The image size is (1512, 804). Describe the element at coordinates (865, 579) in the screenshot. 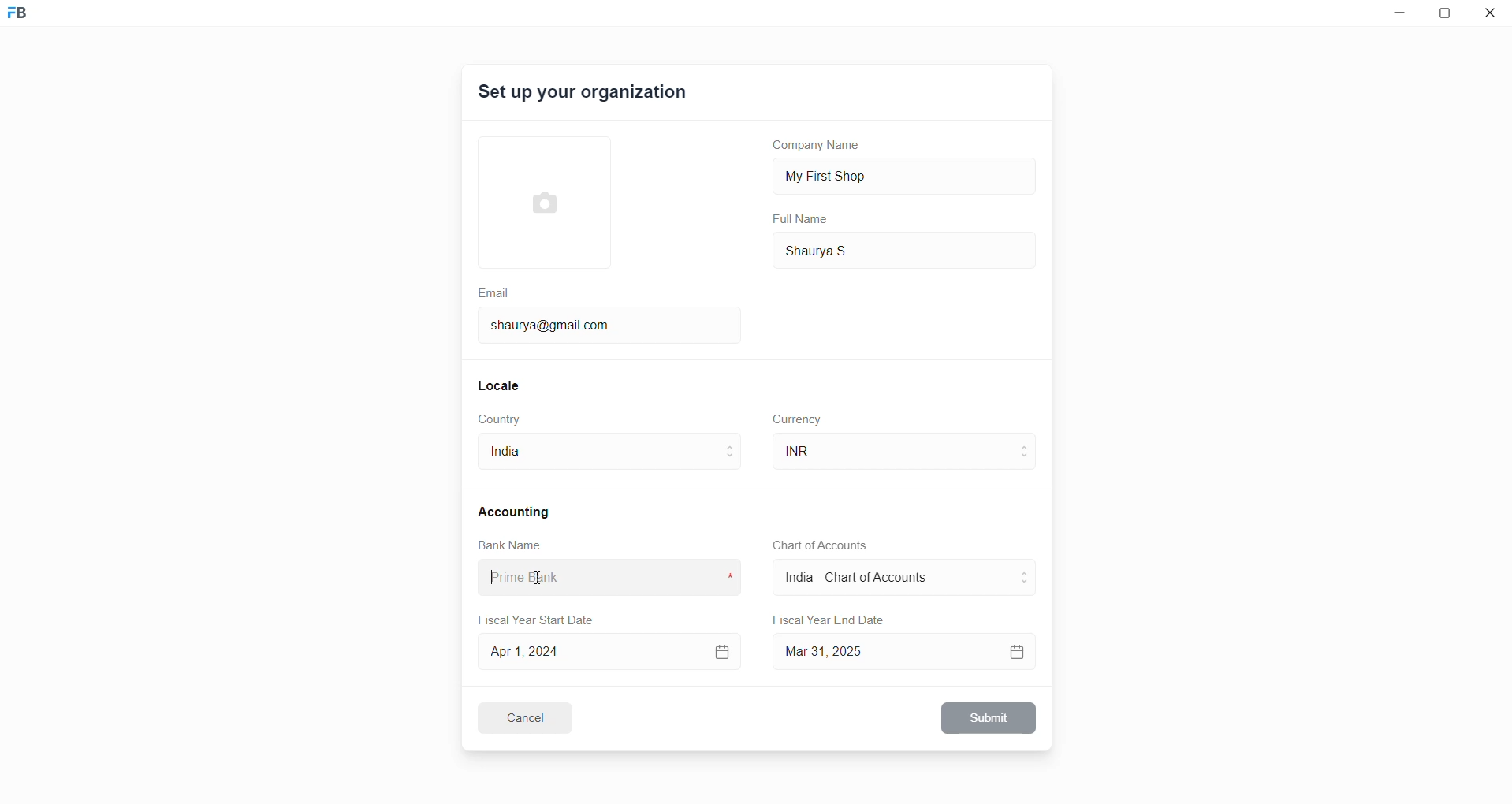

I see `India - Chart of Account` at that location.